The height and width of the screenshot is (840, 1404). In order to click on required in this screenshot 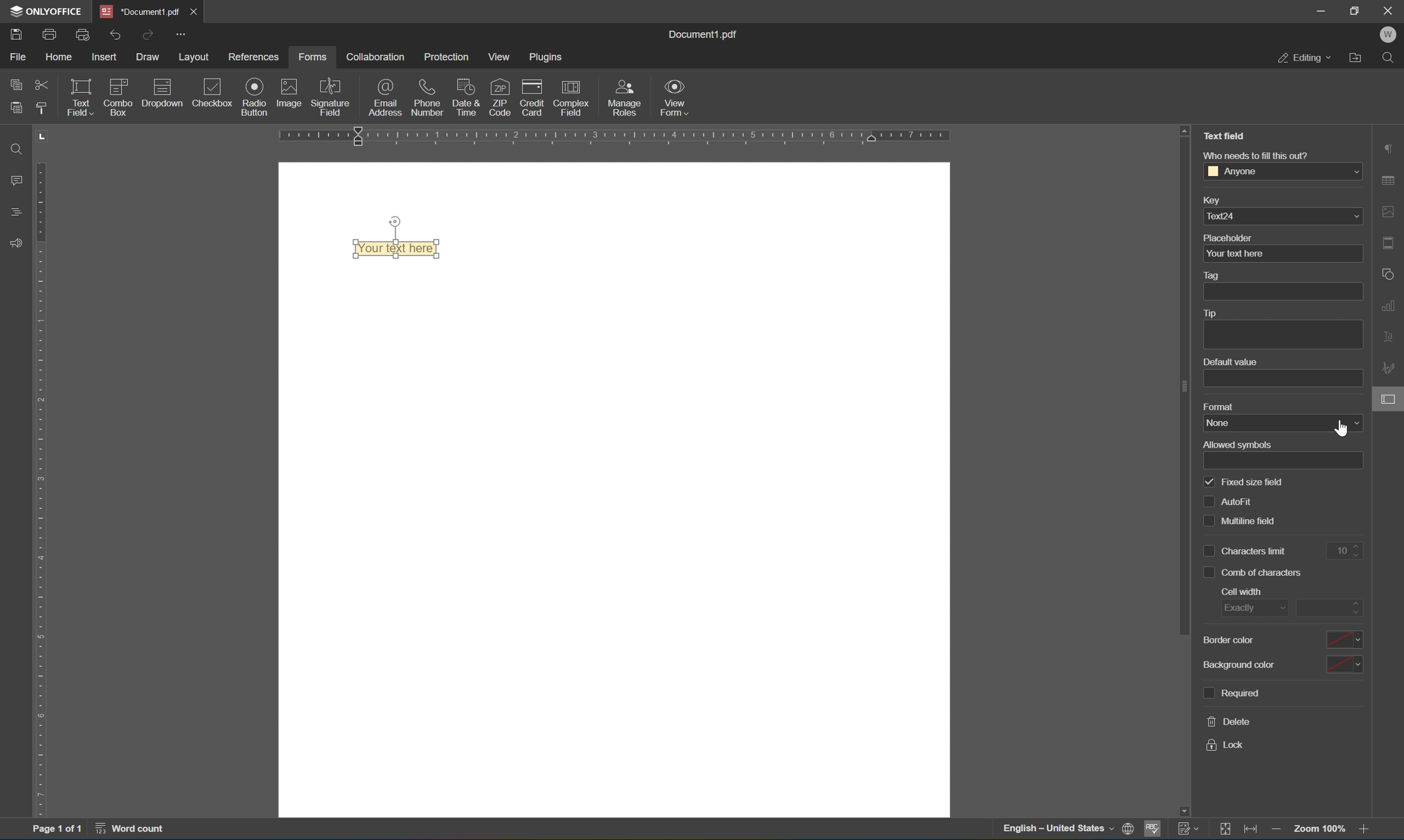, I will do `click(1230, 691)`.